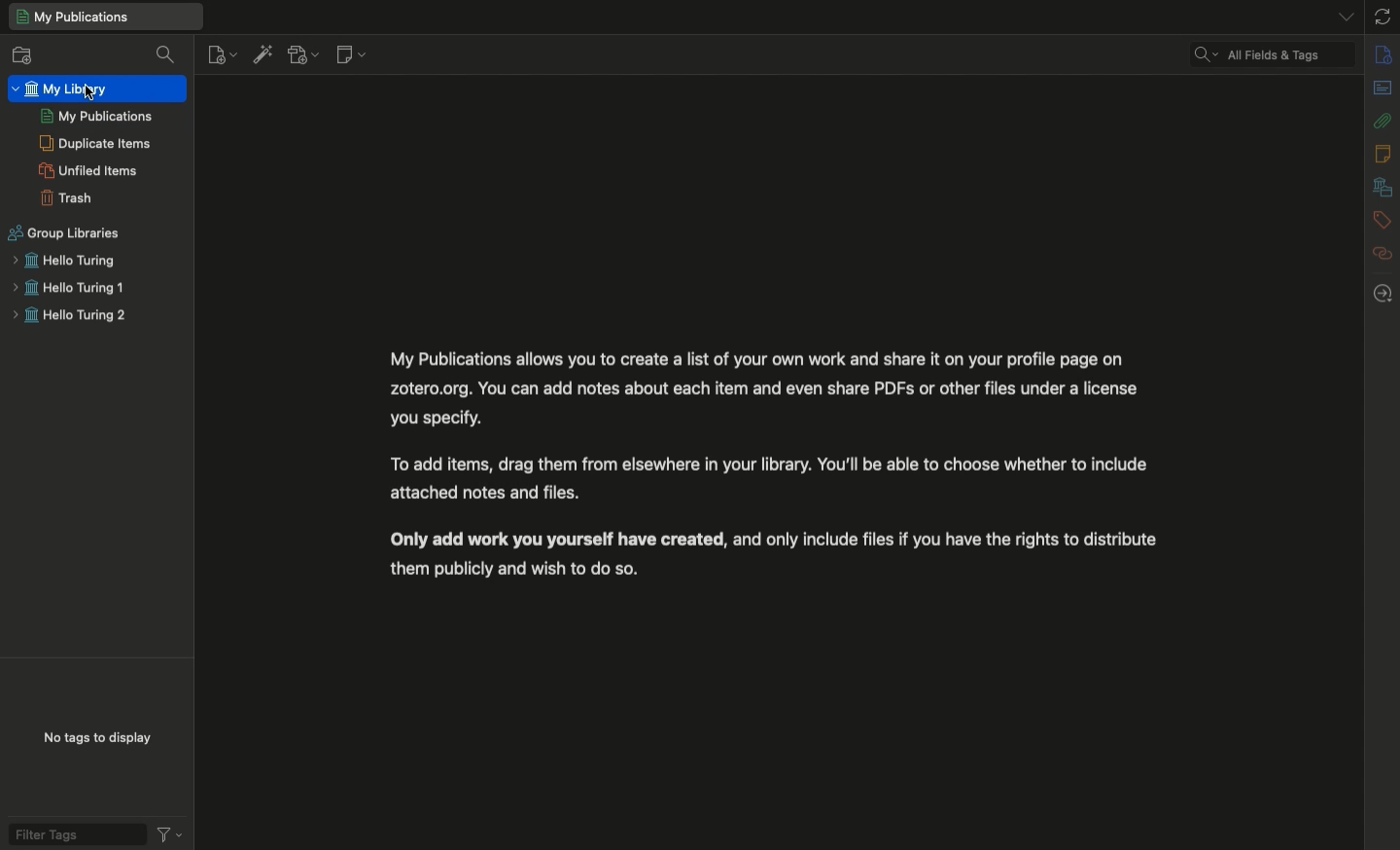 The image size is (1400, 850). I want to click on No tags to display, so click(100, 740).